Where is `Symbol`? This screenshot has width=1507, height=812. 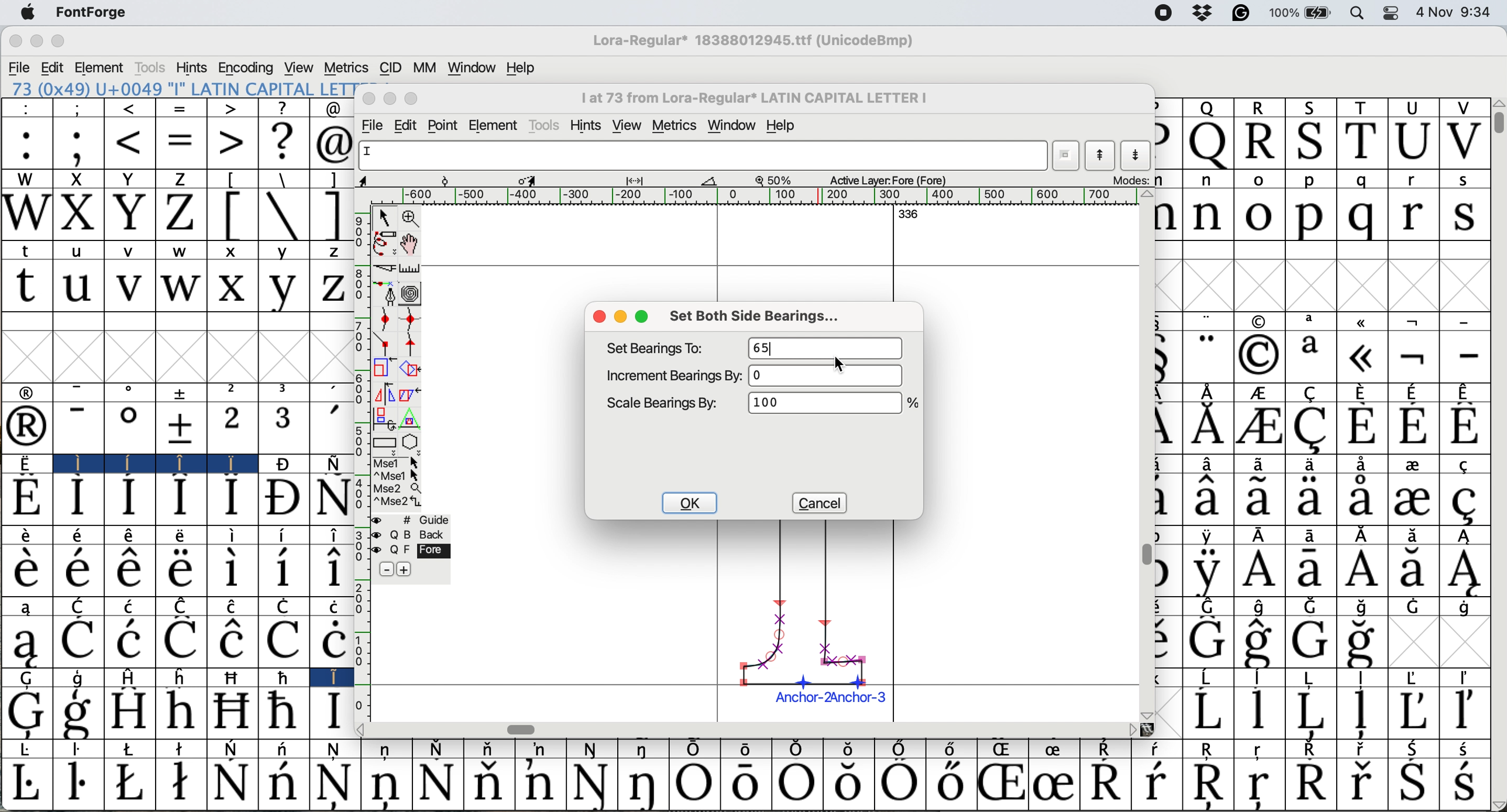 Symbol is located at coordinates (1260, 428).